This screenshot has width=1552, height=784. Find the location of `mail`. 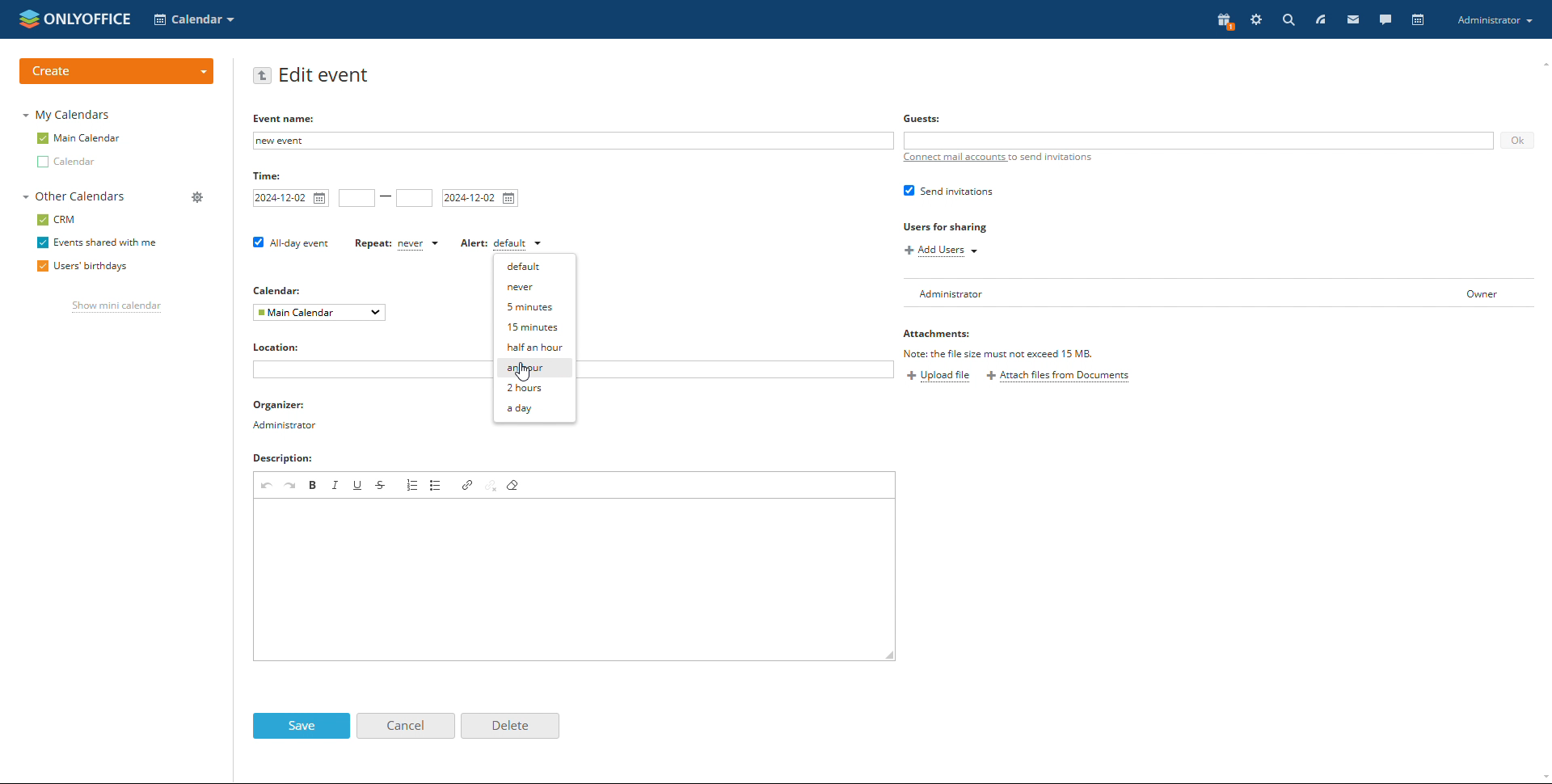

mail is located at coordinates (1352, 20).